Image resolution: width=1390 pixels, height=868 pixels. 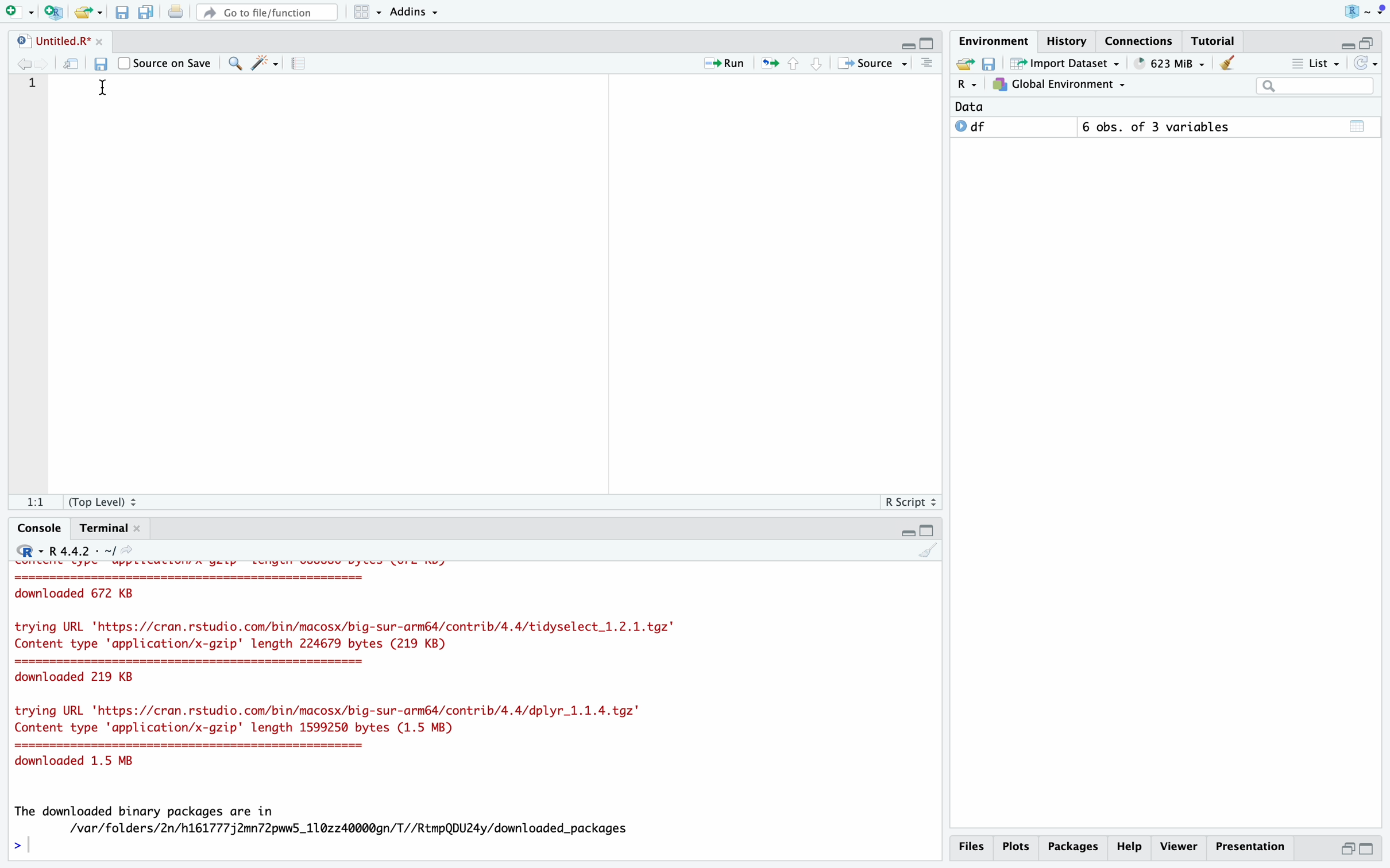 I want to click on Packages, so click(x=1074, y=847).